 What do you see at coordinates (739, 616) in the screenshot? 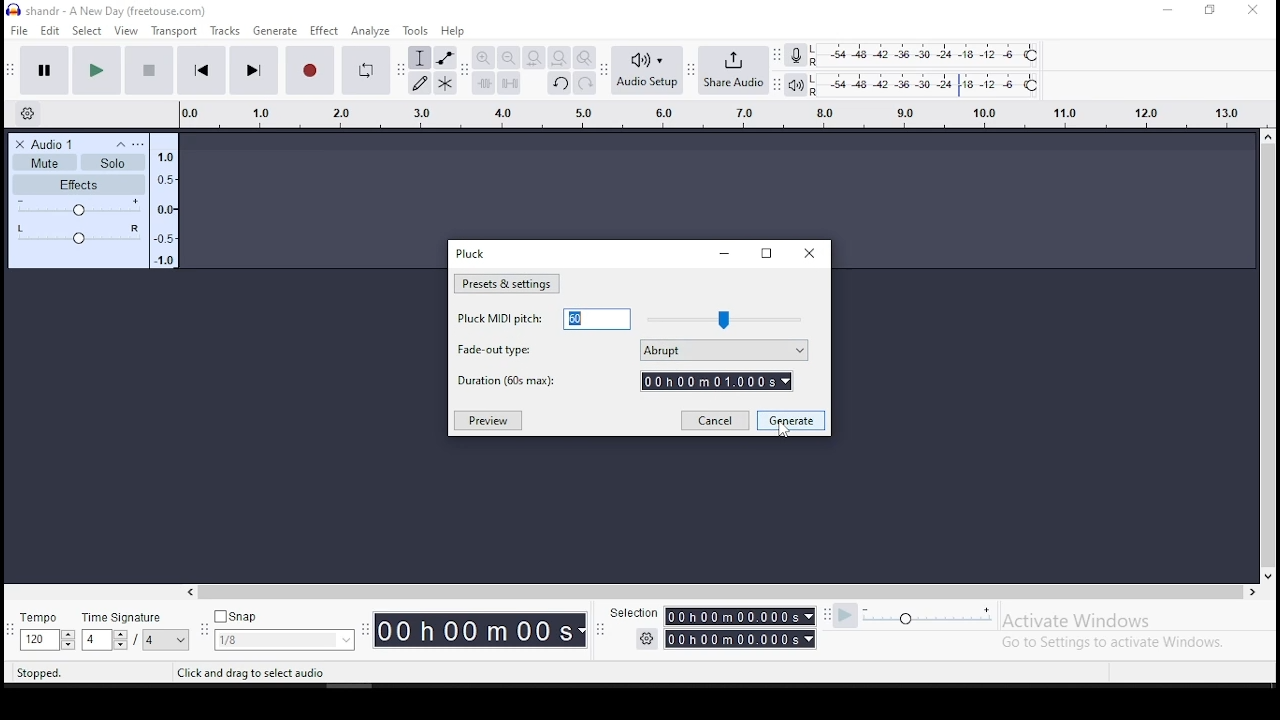
I see `00h00m00s` at bounding box center [739, 616].